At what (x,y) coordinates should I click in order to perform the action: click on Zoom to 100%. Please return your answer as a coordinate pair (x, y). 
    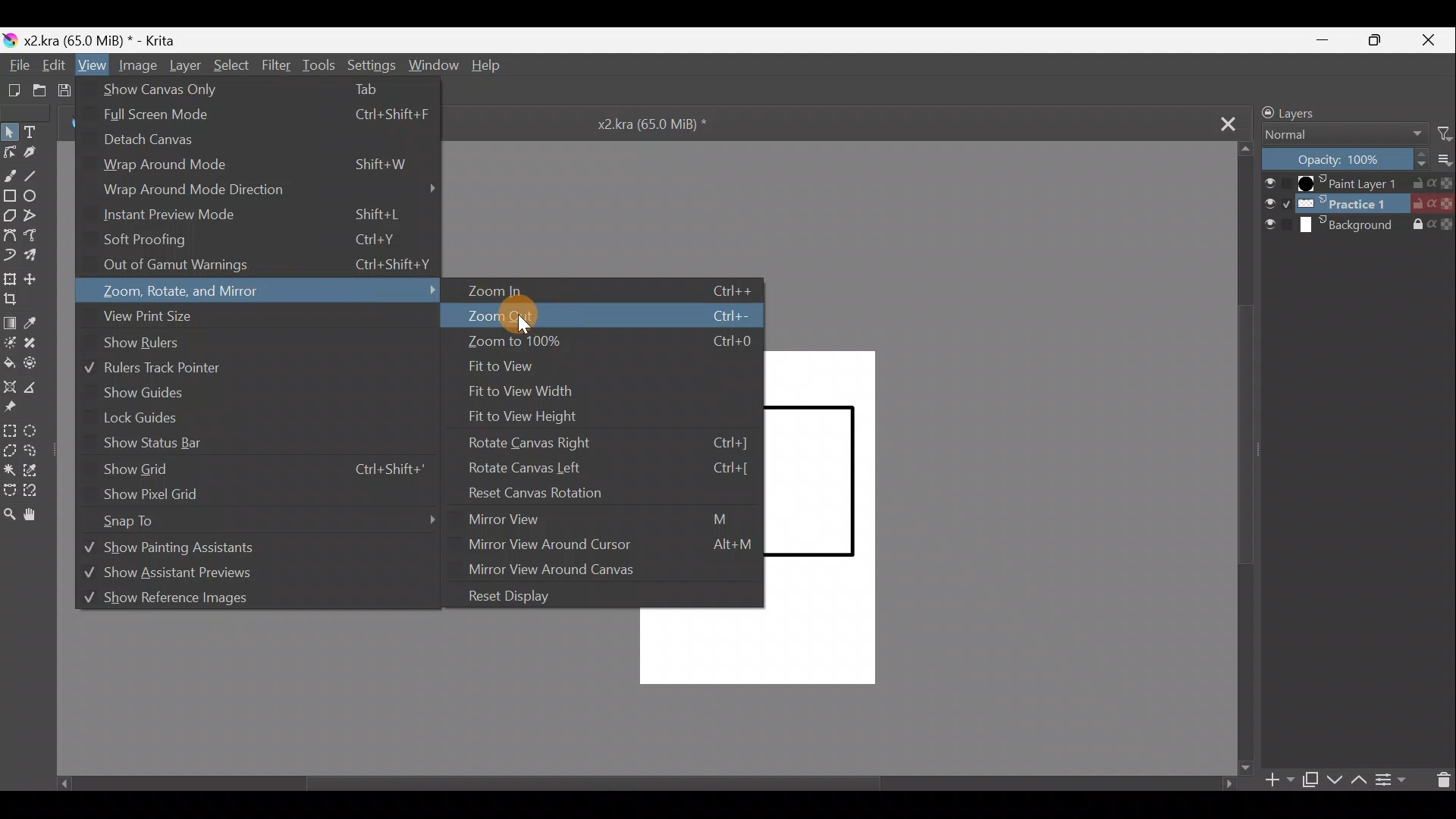
    Looking at the image, I should click on (604, 344).